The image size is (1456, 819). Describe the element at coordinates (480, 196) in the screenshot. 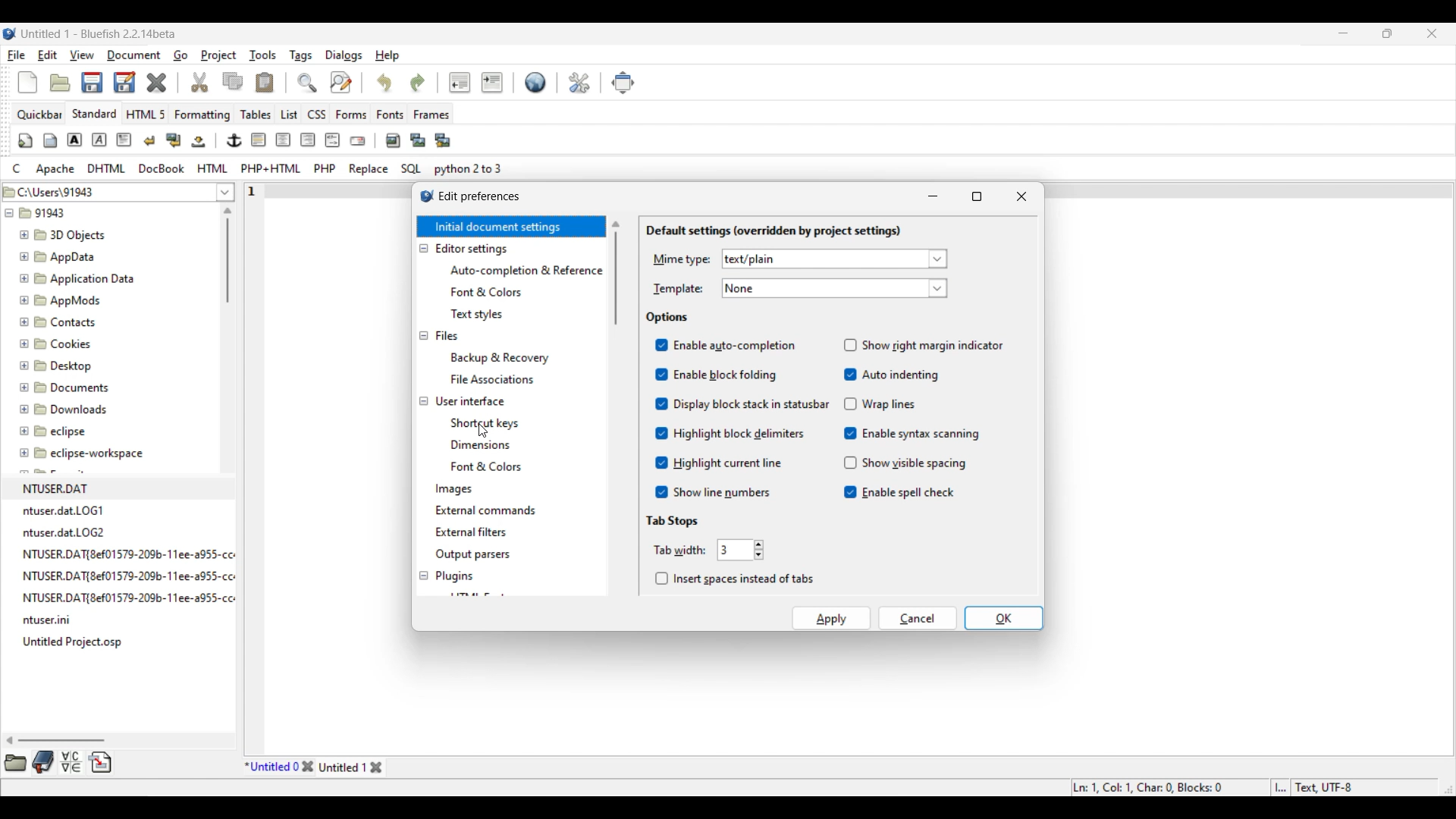

I see `Window title` at that location.